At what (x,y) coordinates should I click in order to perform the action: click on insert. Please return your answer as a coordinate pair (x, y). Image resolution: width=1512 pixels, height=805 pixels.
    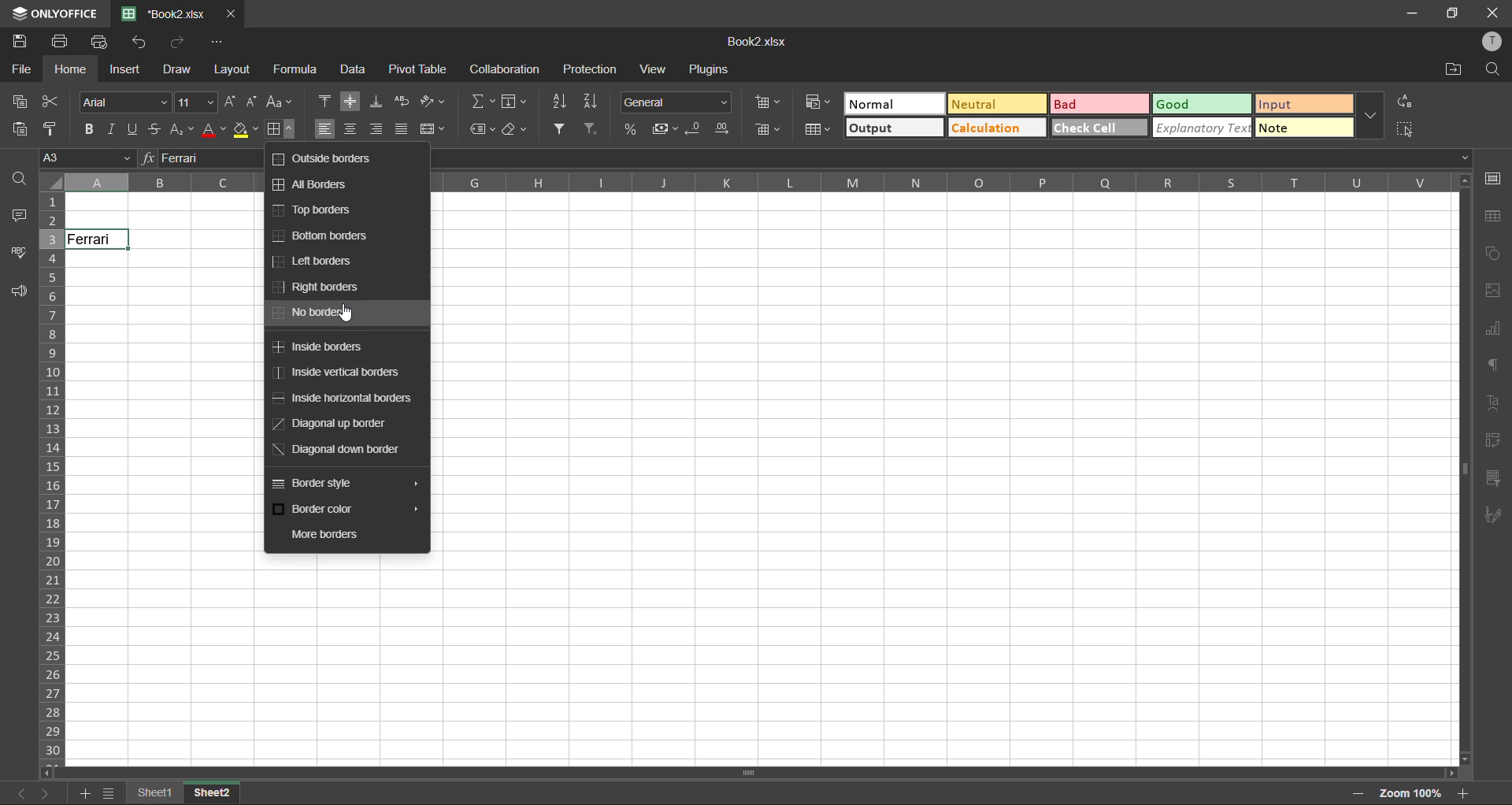
    Looking at the image, I should click on (125, 69).